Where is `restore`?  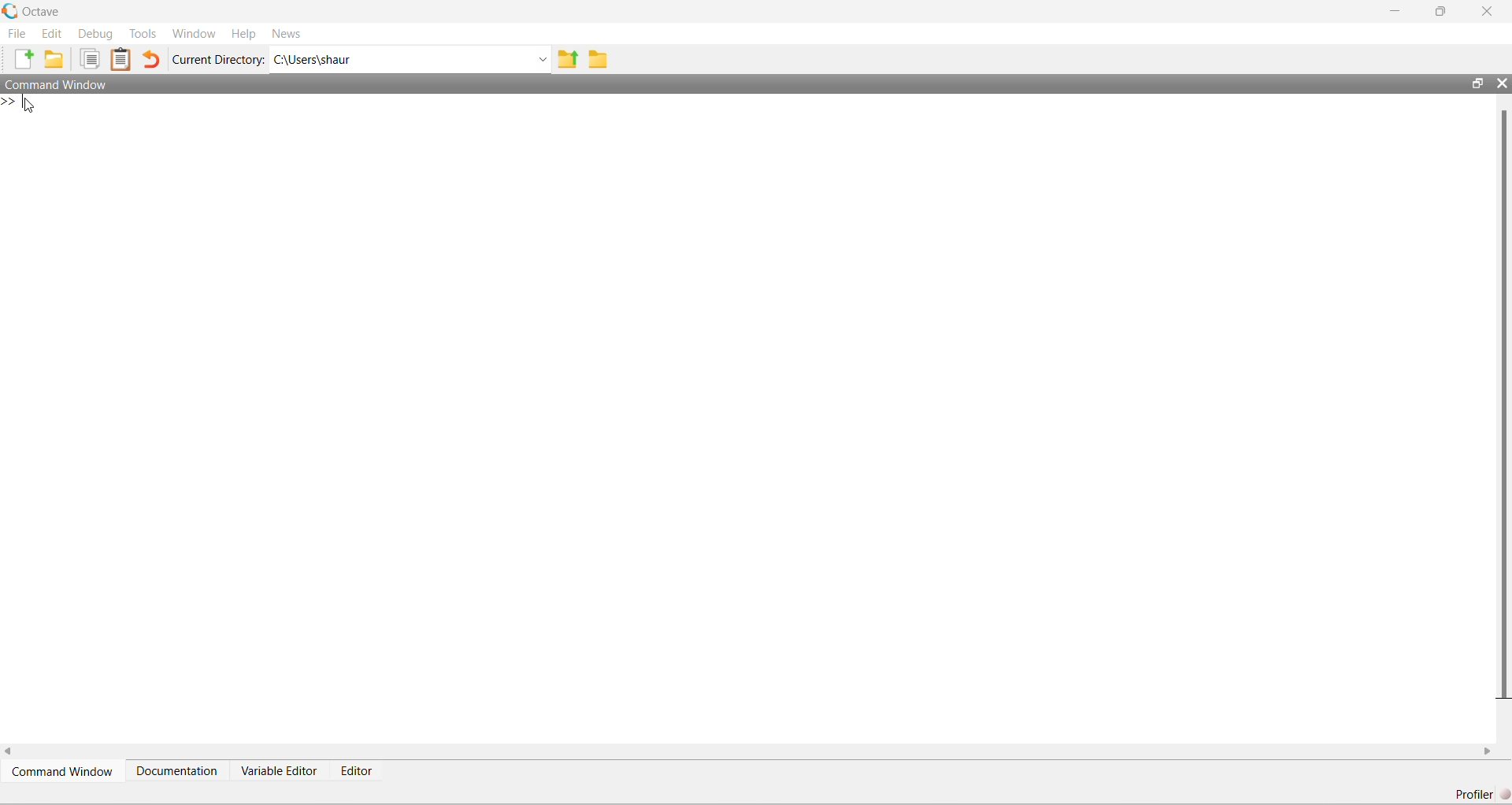
restore is located at coordinates (1441, 10).